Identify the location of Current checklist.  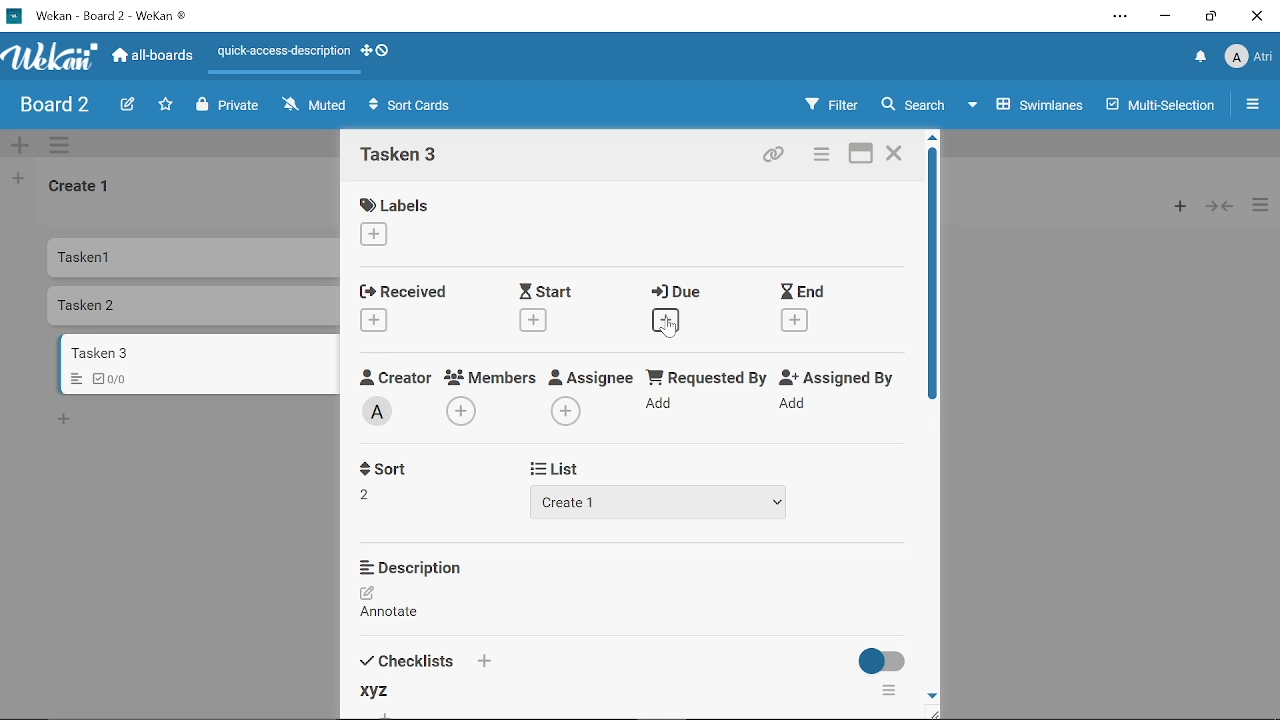
(376, 693).